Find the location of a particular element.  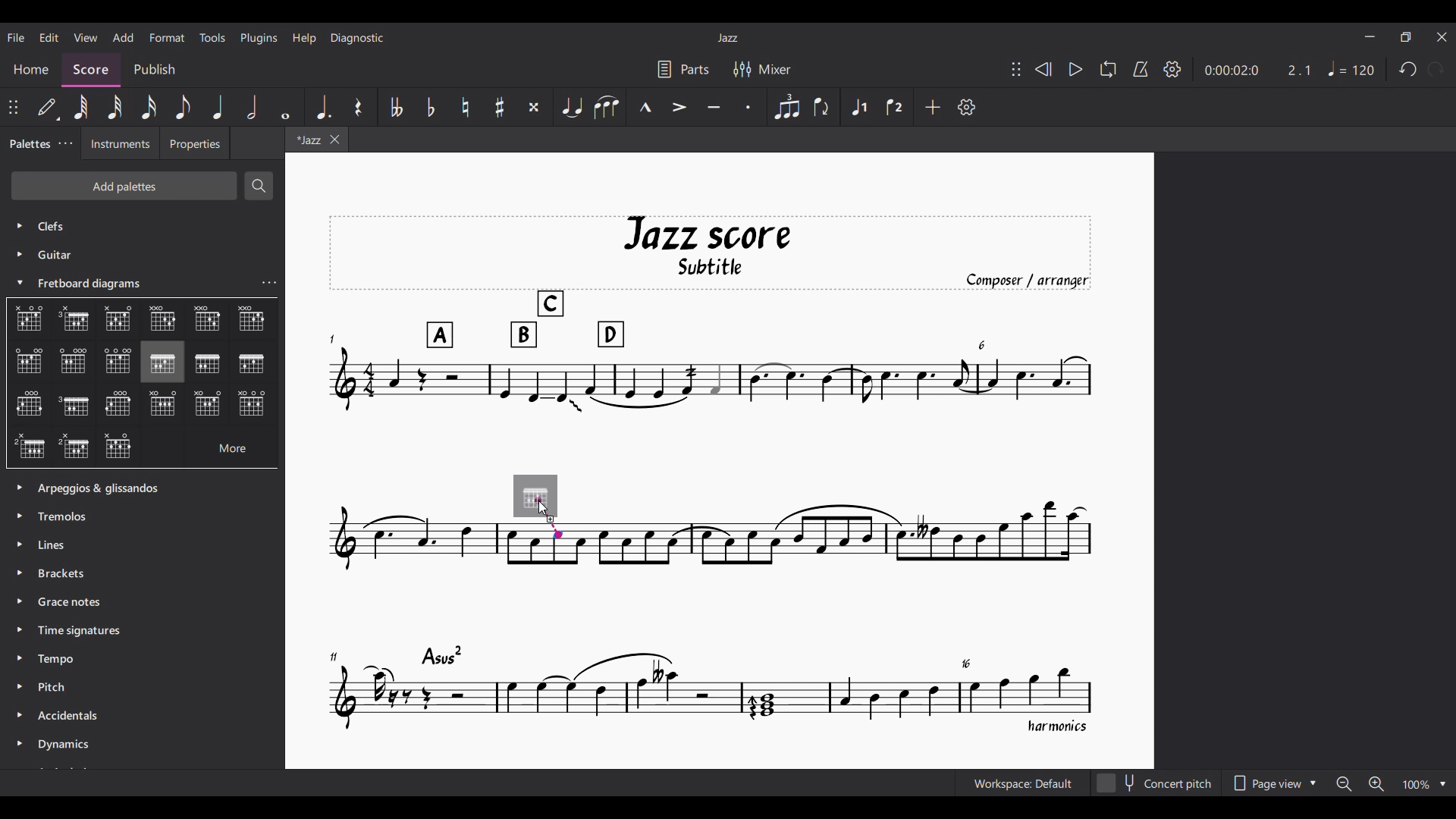

Chart 10 is located at coordinates (209, 363).